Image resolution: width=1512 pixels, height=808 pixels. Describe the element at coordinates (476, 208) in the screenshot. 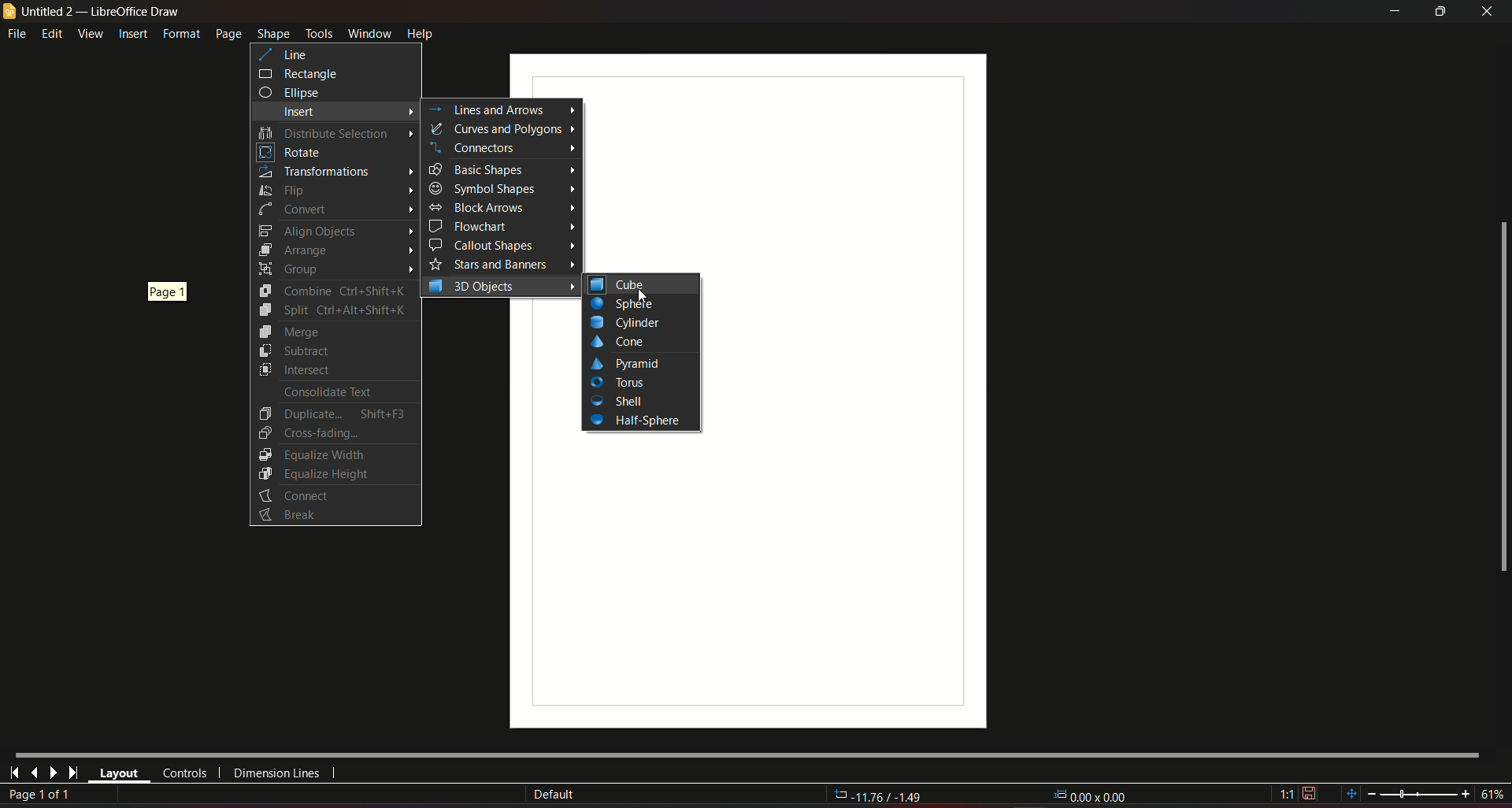

I see `Block Arrows` at that location.